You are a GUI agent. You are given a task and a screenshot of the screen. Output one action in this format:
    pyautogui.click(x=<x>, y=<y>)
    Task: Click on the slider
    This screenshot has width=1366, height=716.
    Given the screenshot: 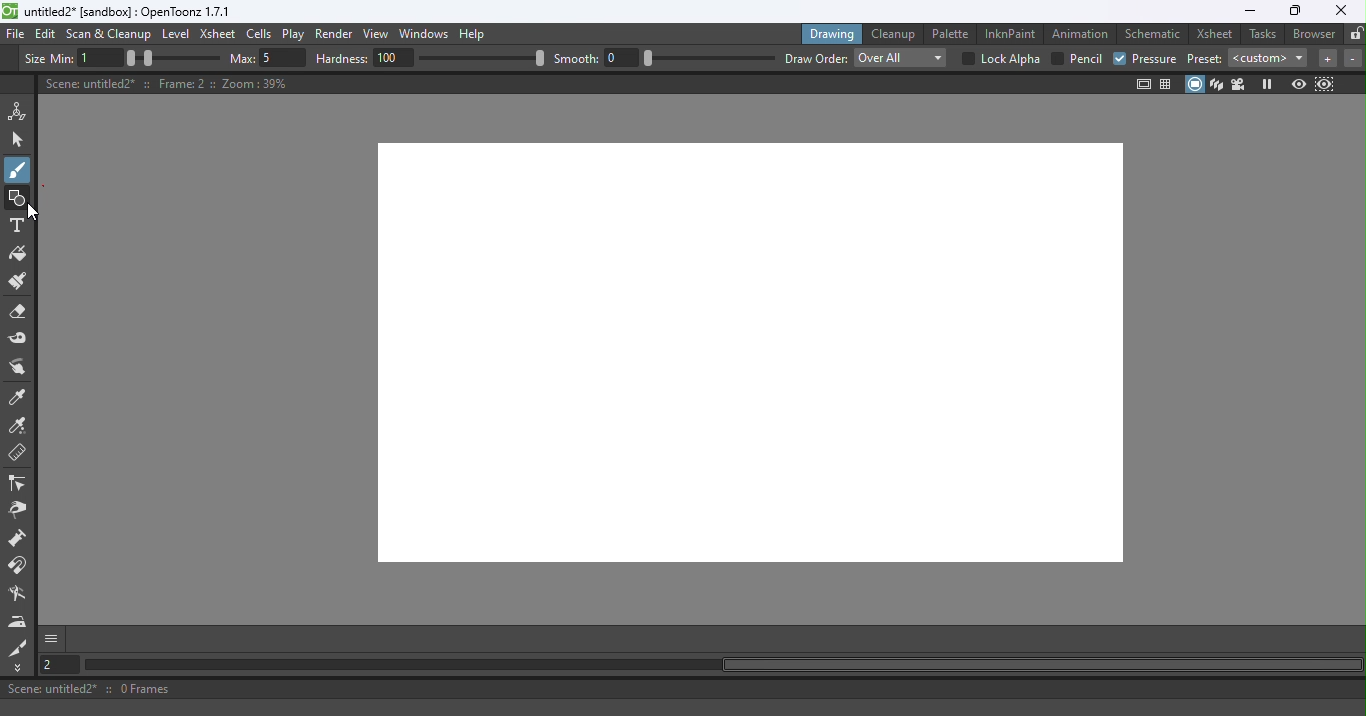 What is the action you would take?
    pyautogui.click(x=485, y=58)
    